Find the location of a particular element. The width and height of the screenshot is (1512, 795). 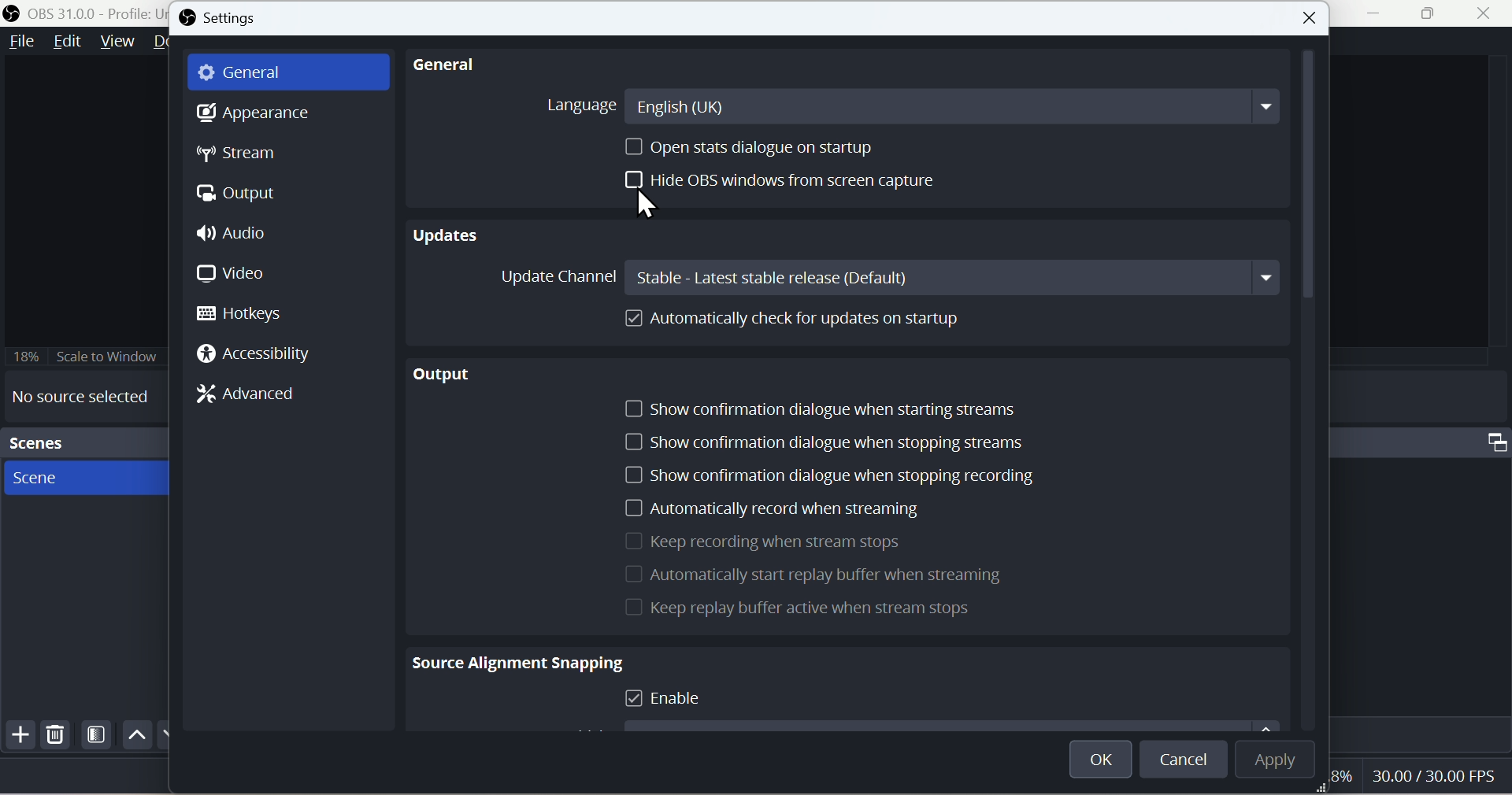

view is located at coordinates (121, 46).